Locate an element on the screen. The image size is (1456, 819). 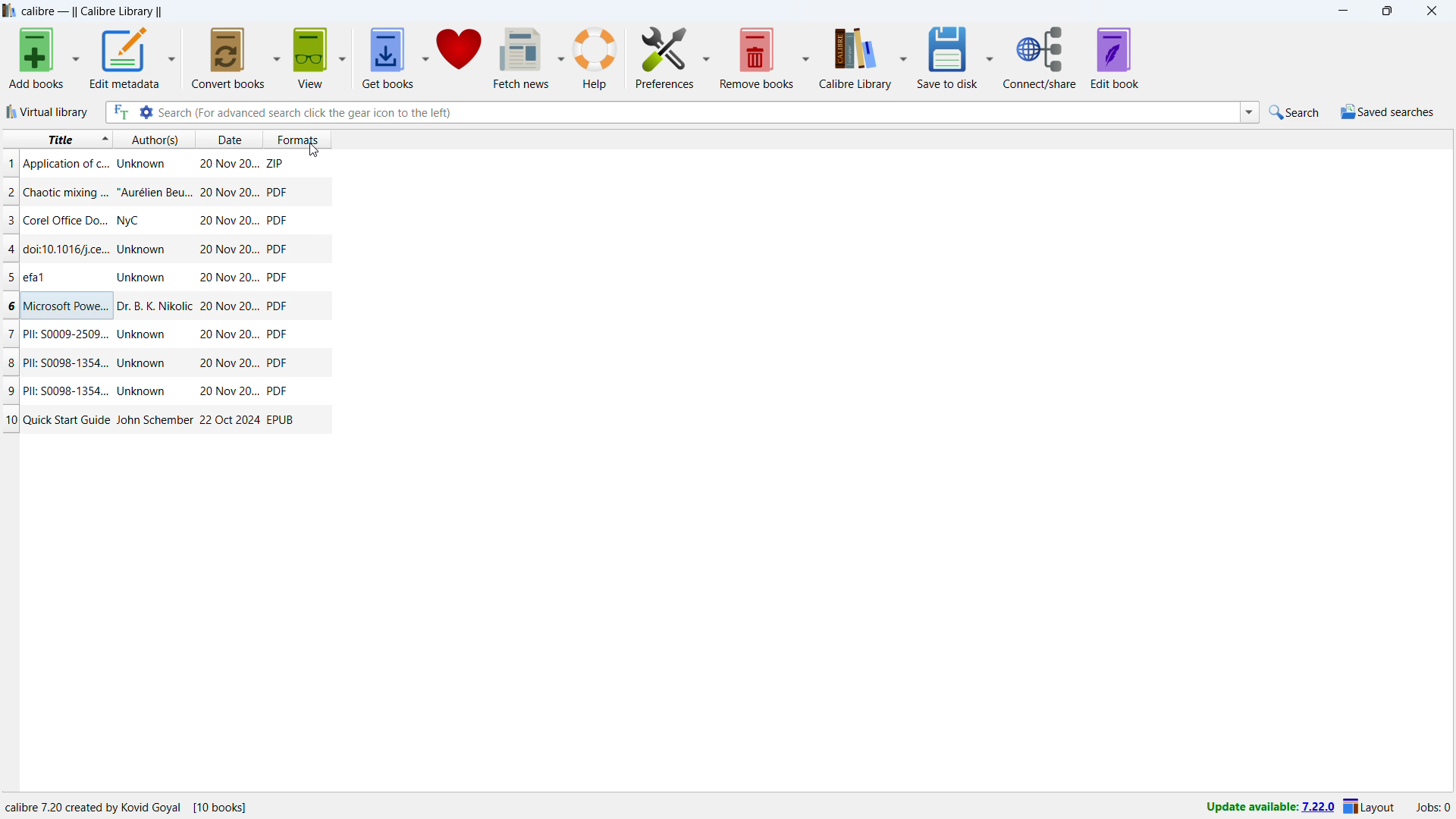
save to disk is located at coordinates (758, 58).